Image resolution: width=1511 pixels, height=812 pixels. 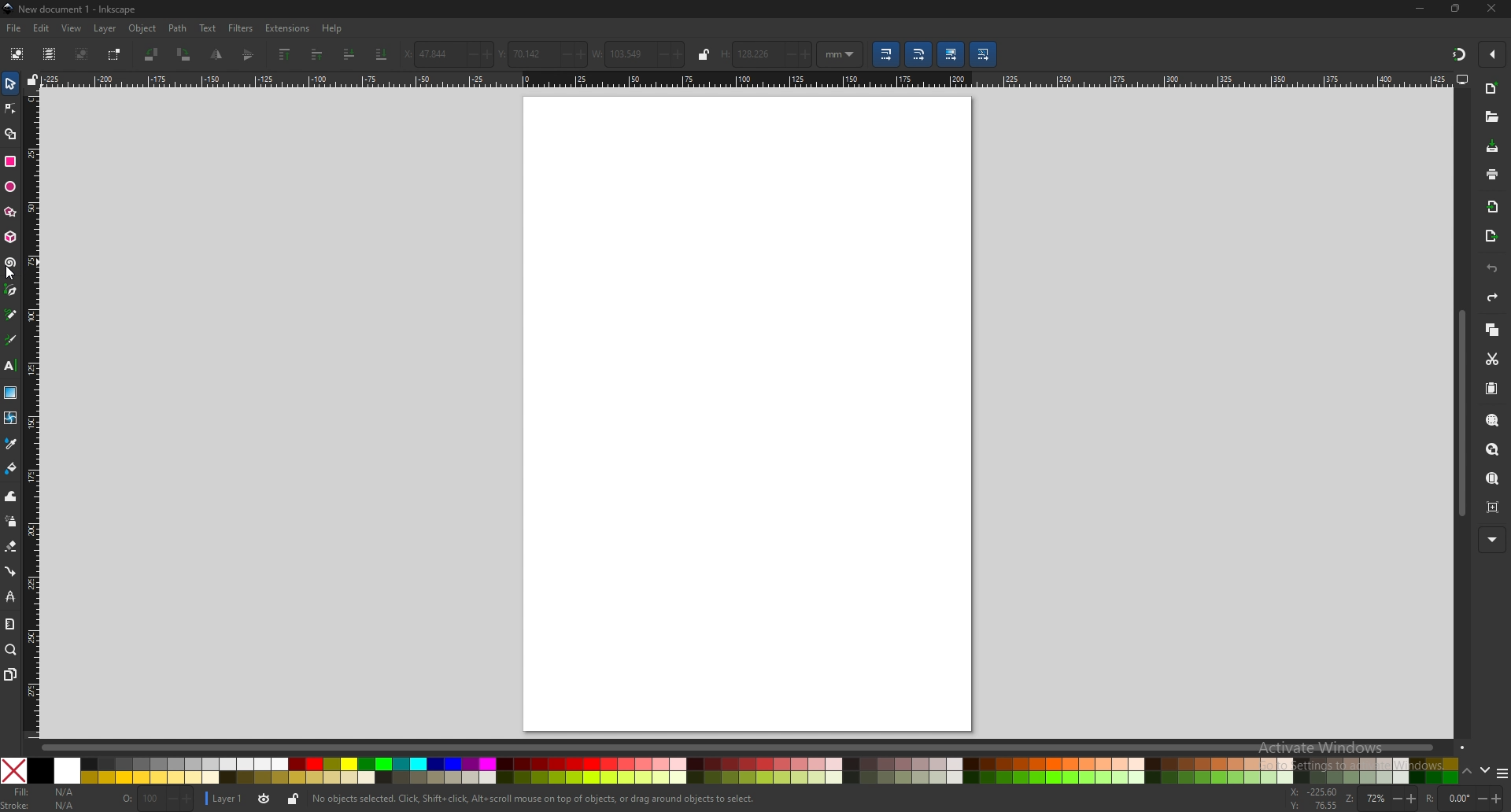 I want to click on move pattern, so click(x=984, y=54).